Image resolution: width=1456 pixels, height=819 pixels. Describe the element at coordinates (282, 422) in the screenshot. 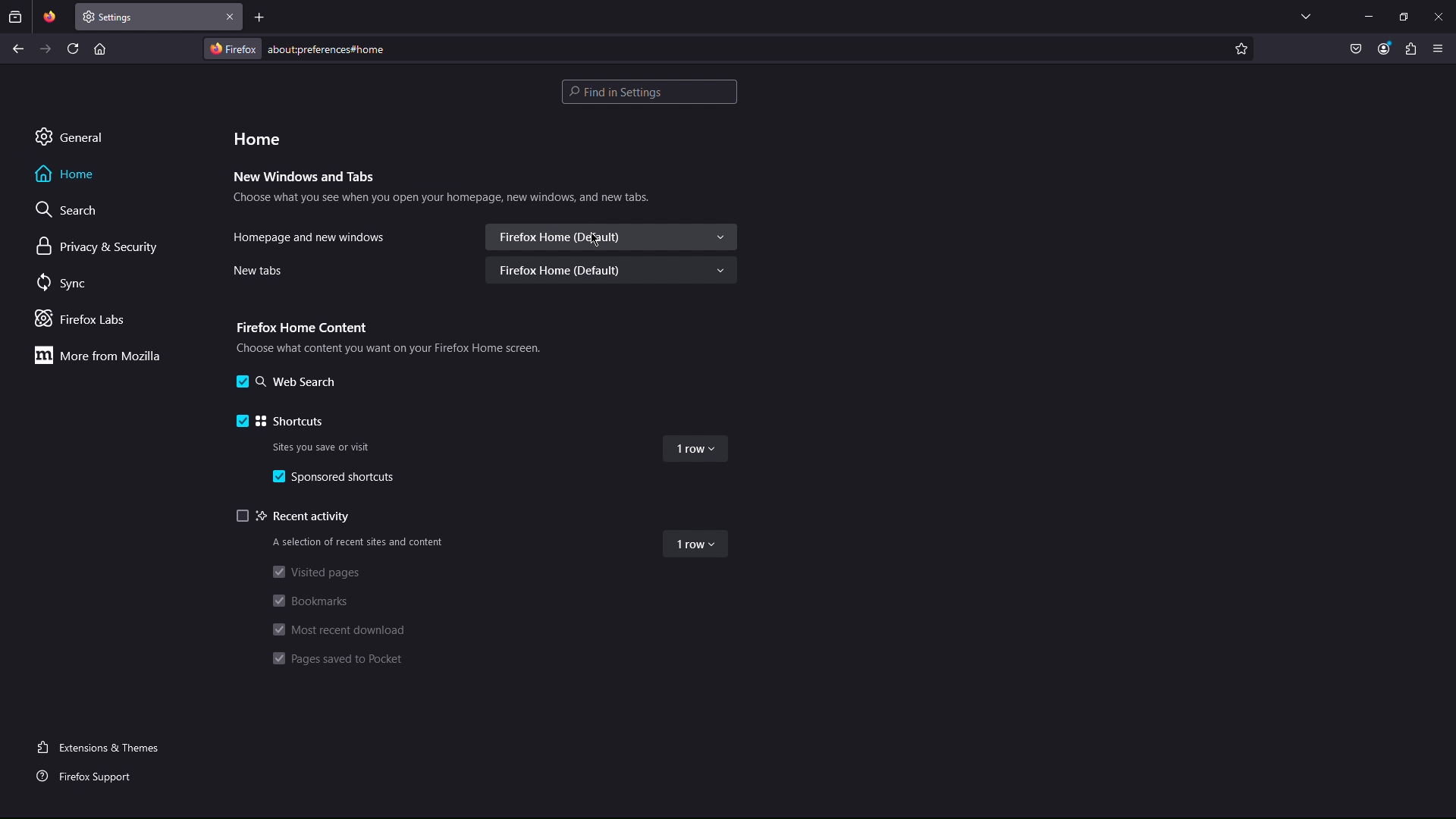

I see `Shortcuts` at that location.